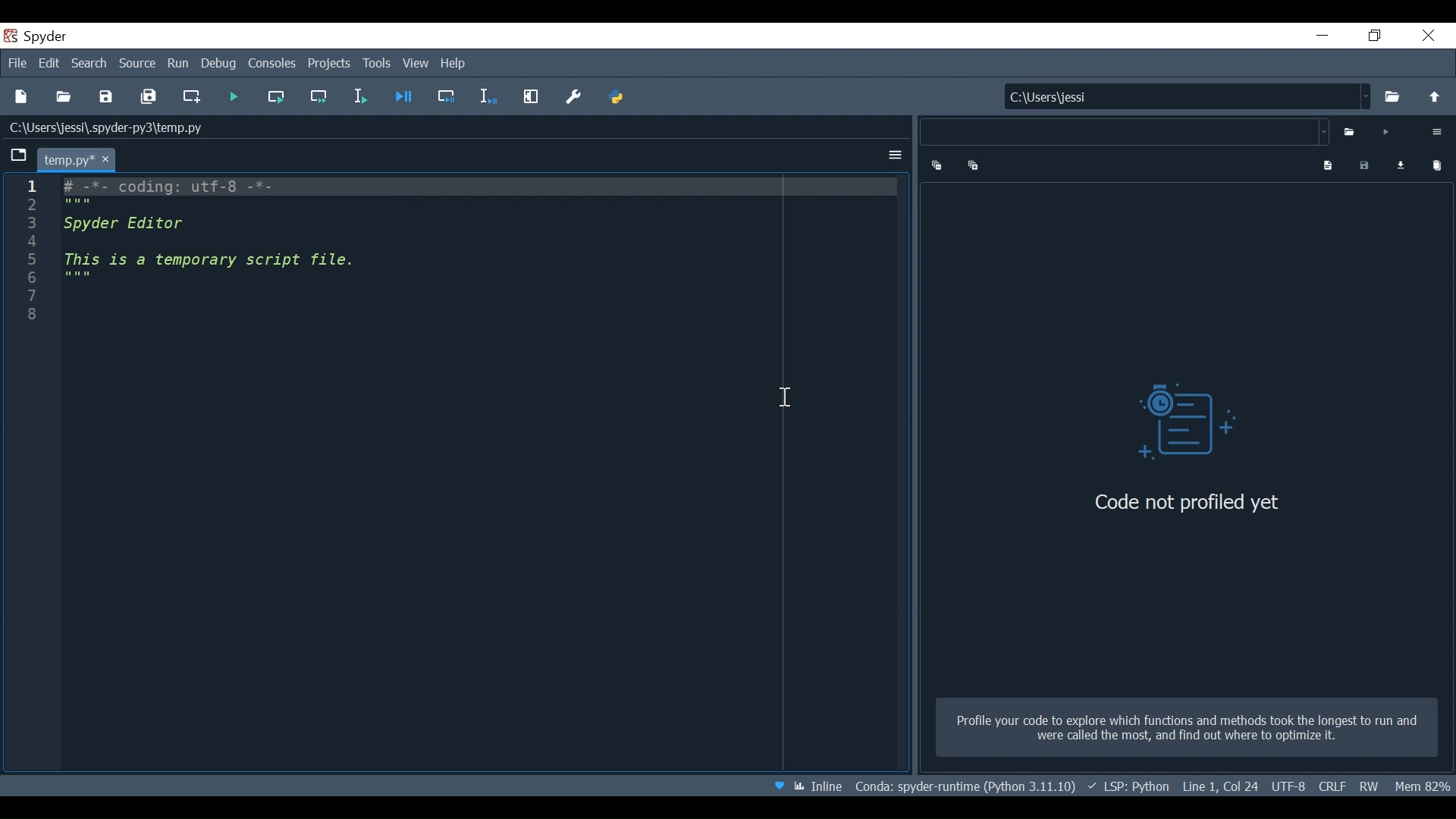  Describe the element at coordinates (1404, 167) in the screenshot. I see `Load profiling data for comparison` at that location.